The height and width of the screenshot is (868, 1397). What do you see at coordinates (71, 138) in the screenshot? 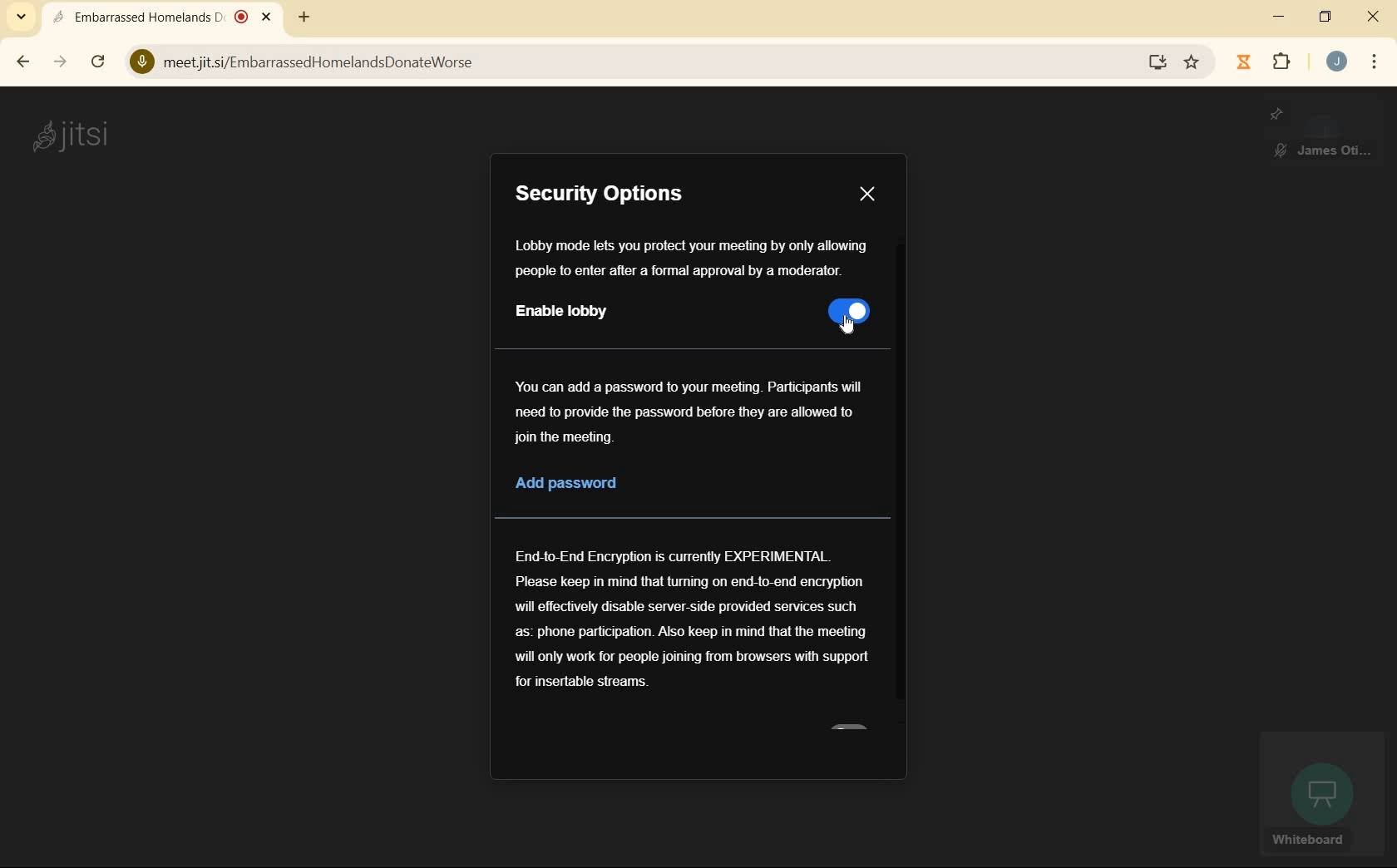
I see `system name` at bounding box center [71, 138].